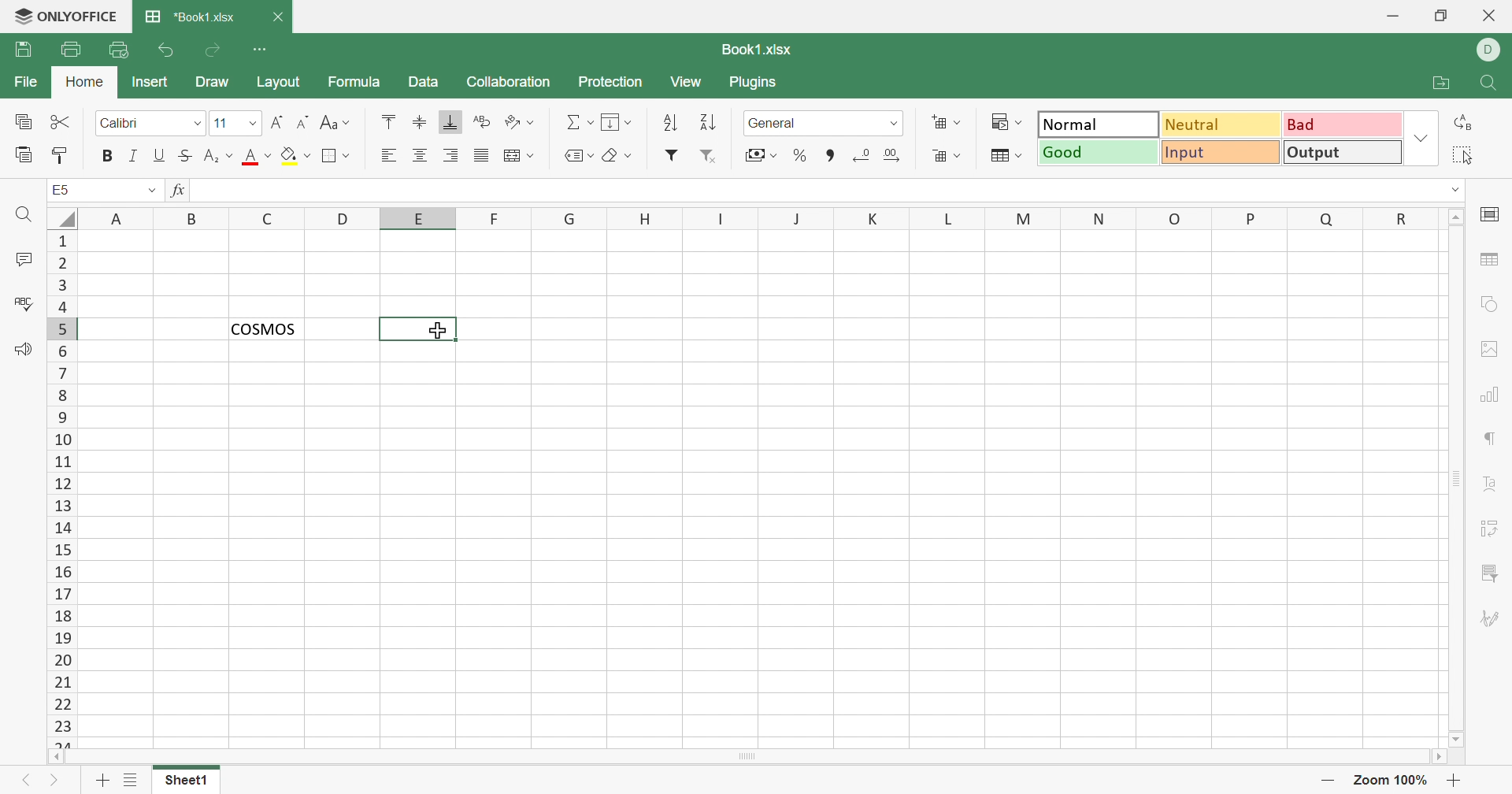 The height and width of the screenshot is (794, 1512). What do you see at coordinates (279, 82) in the screenshot?
I see `Layout` at bounding box center [279, 82].